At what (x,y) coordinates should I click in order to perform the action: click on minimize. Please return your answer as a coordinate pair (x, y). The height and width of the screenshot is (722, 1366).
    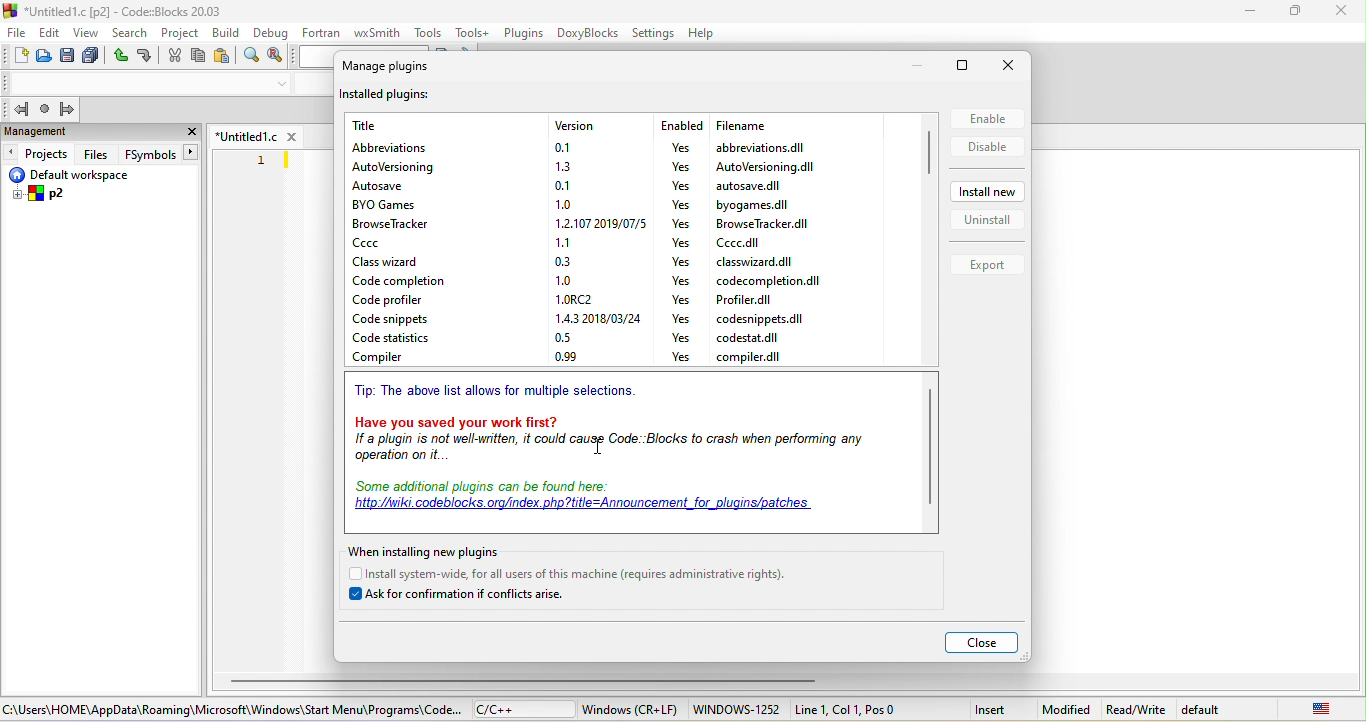
    Looking at the image, I should click on (1250, 14).